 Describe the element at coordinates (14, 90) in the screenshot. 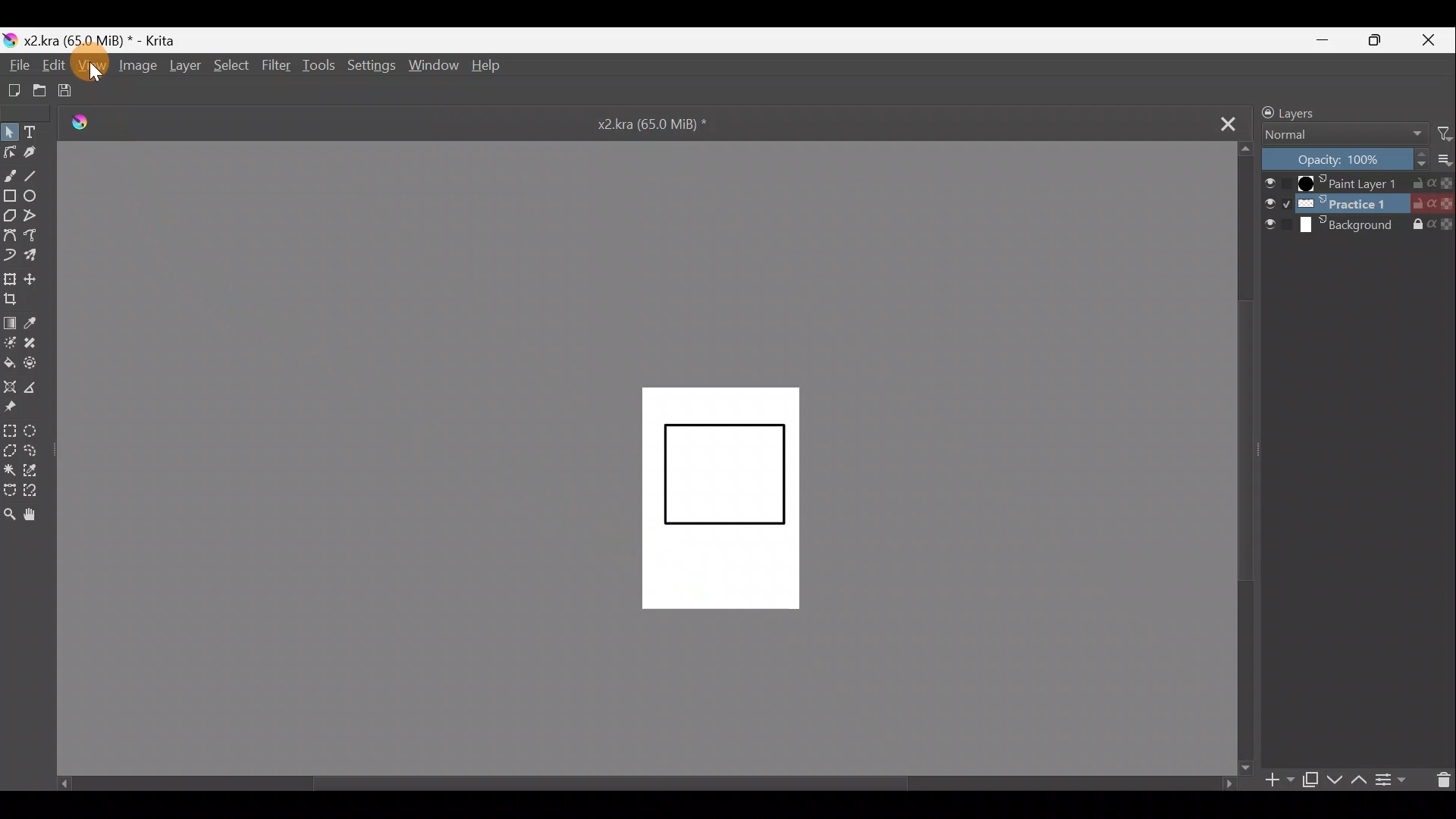

I see `Create new document` at that location.